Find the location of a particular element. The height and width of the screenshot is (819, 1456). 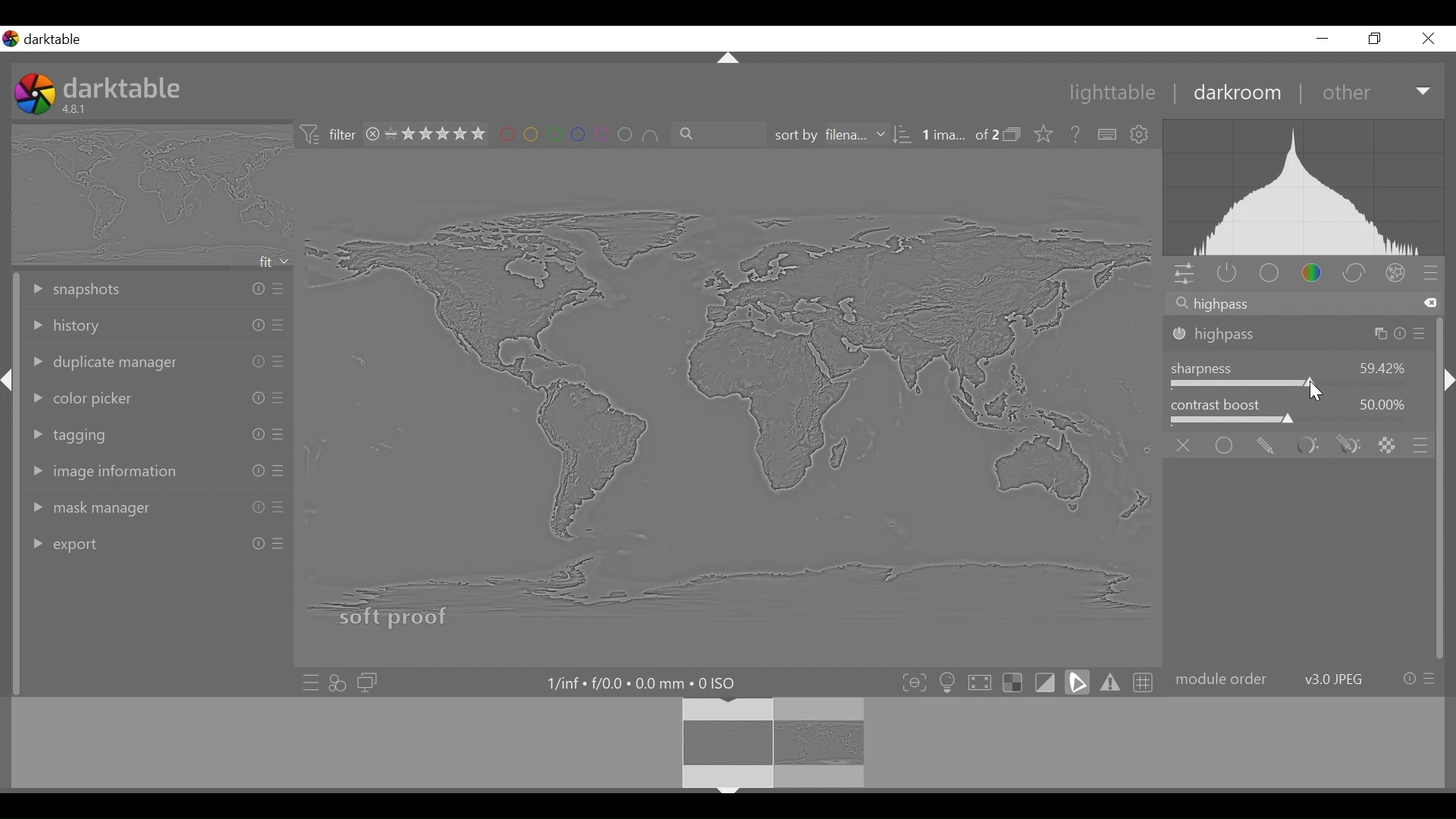

Contrast boost is located at coordinates (1301, 421).